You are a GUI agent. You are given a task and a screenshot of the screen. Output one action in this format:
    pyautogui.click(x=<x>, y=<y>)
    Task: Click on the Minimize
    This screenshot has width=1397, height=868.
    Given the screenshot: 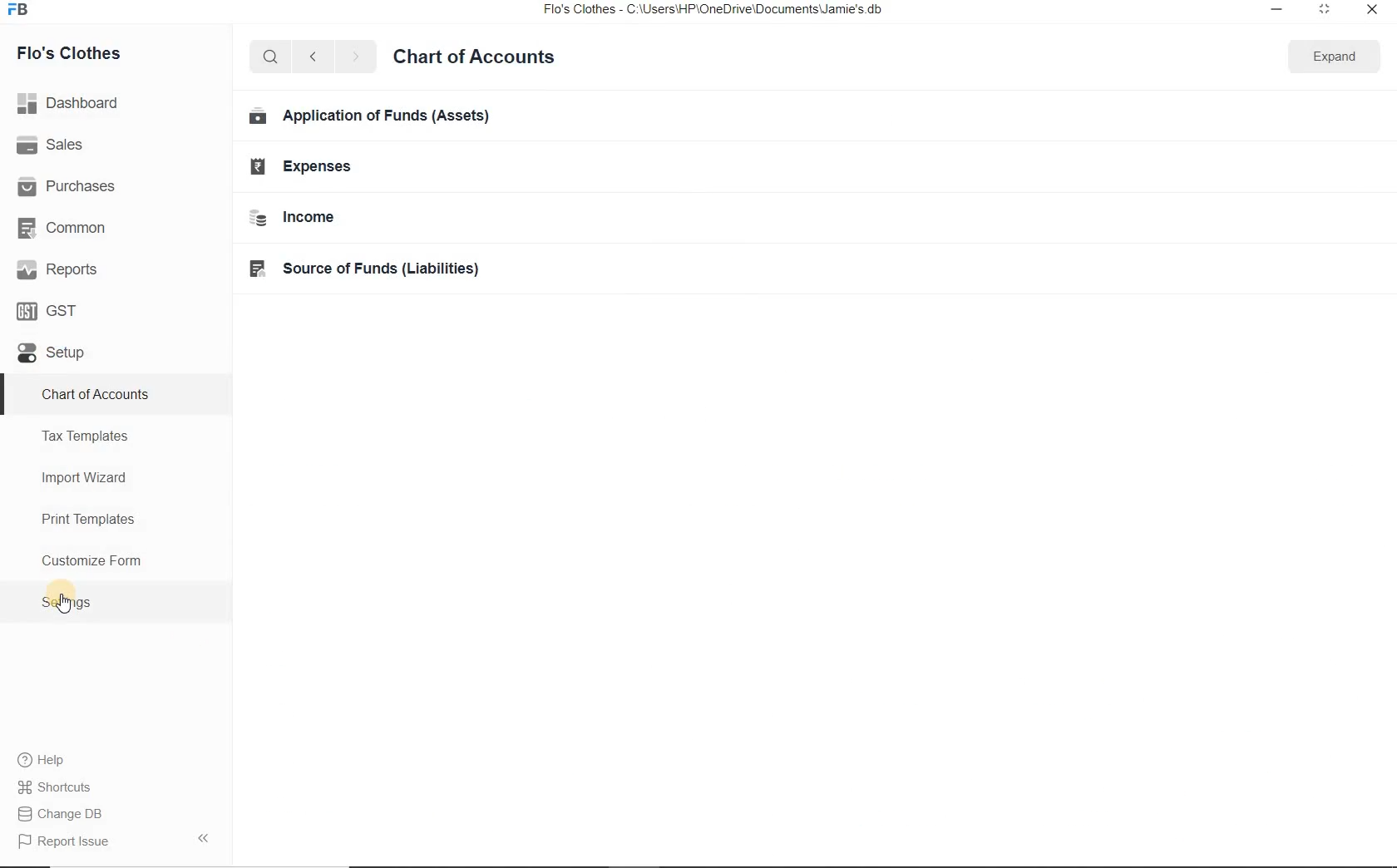 What is the action you would take?
    pyautogui.click(x=1276, y=10)
    